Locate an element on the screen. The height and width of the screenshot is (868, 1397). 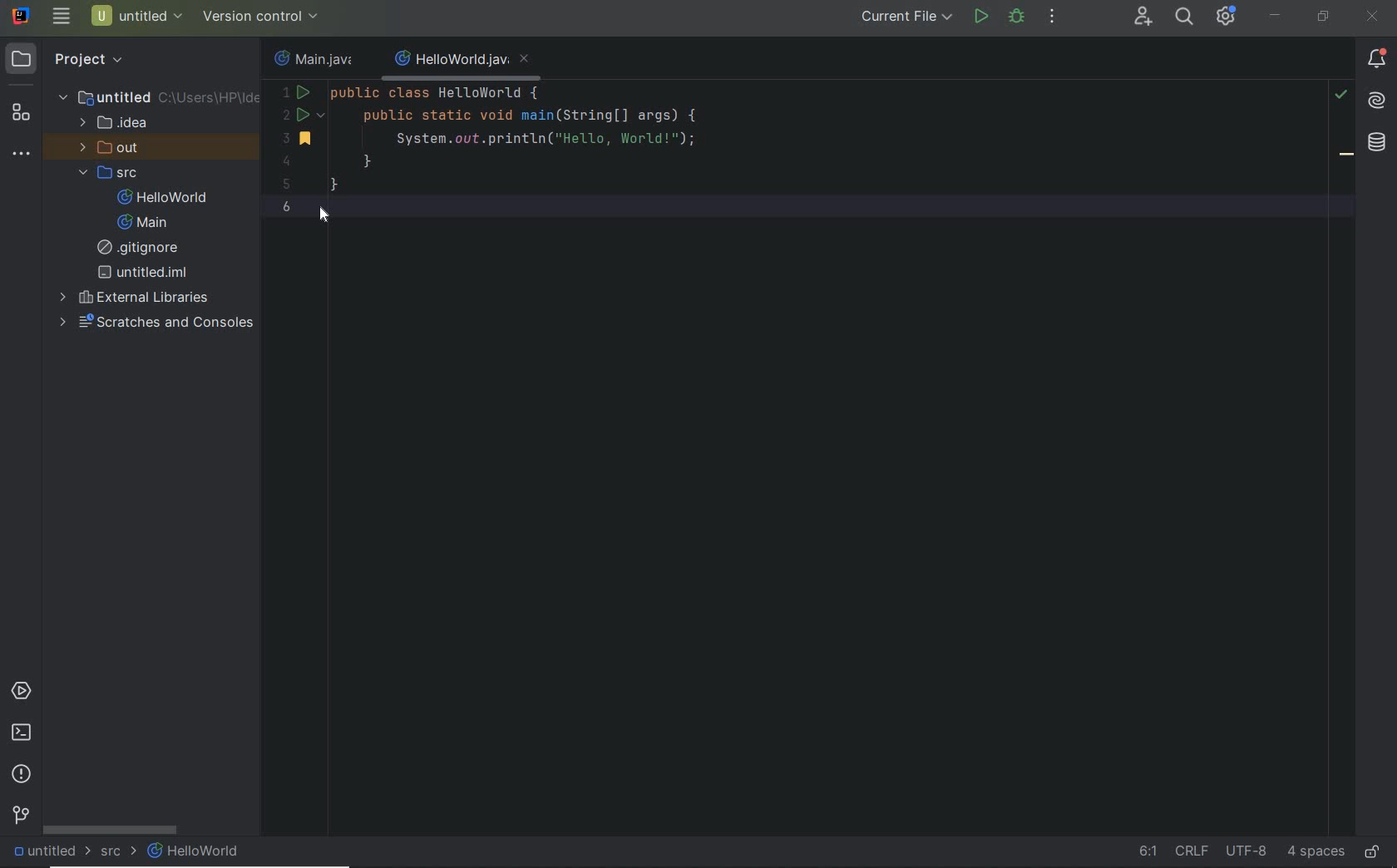
file name is located at coordinates (463, 61).